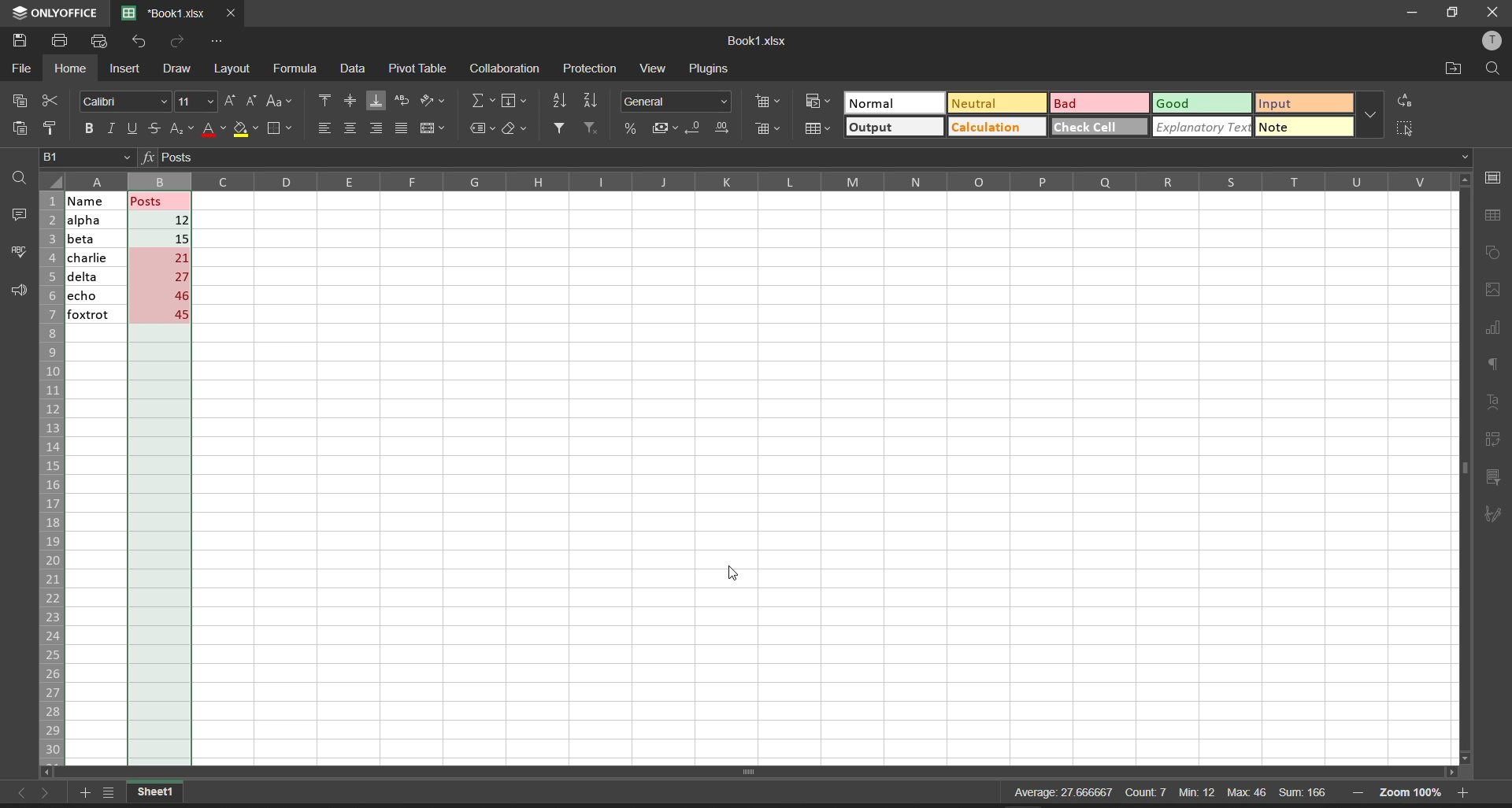 The image size is (1512, 808). I want to click on borders, so click(280, 130).